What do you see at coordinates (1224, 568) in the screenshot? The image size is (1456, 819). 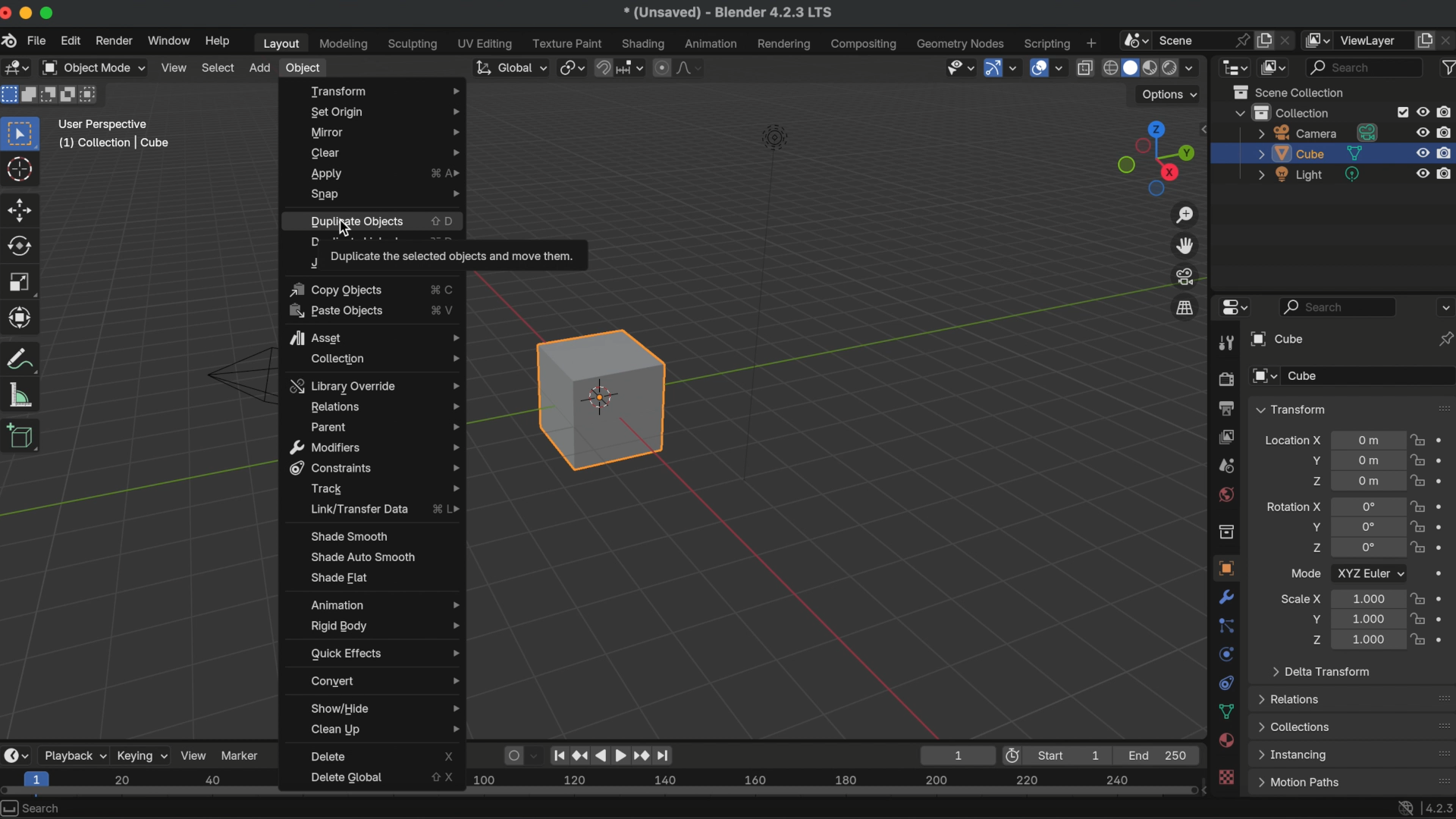 I see `object` at bounding box center [1224, 568].